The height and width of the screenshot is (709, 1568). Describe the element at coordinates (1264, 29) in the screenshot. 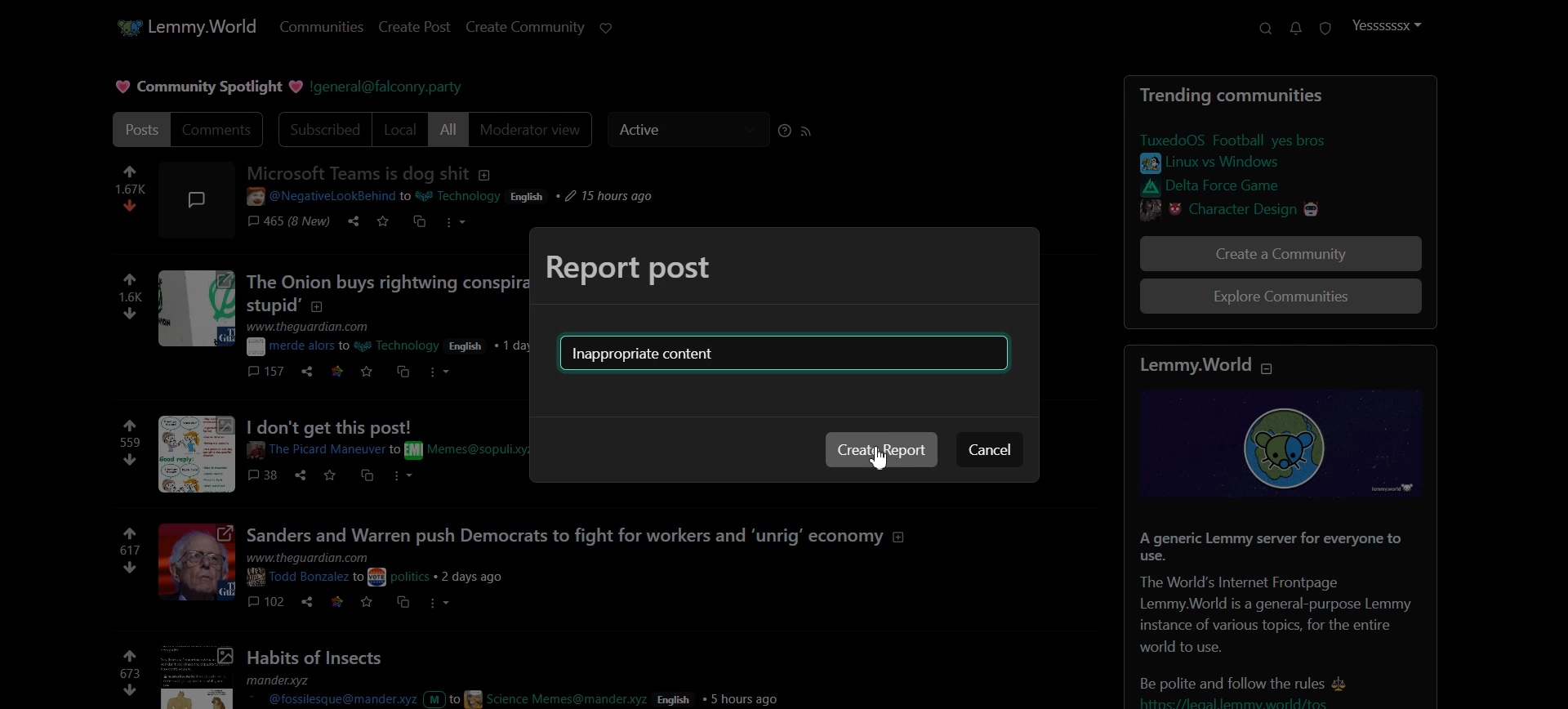

I see `Support` at that location.